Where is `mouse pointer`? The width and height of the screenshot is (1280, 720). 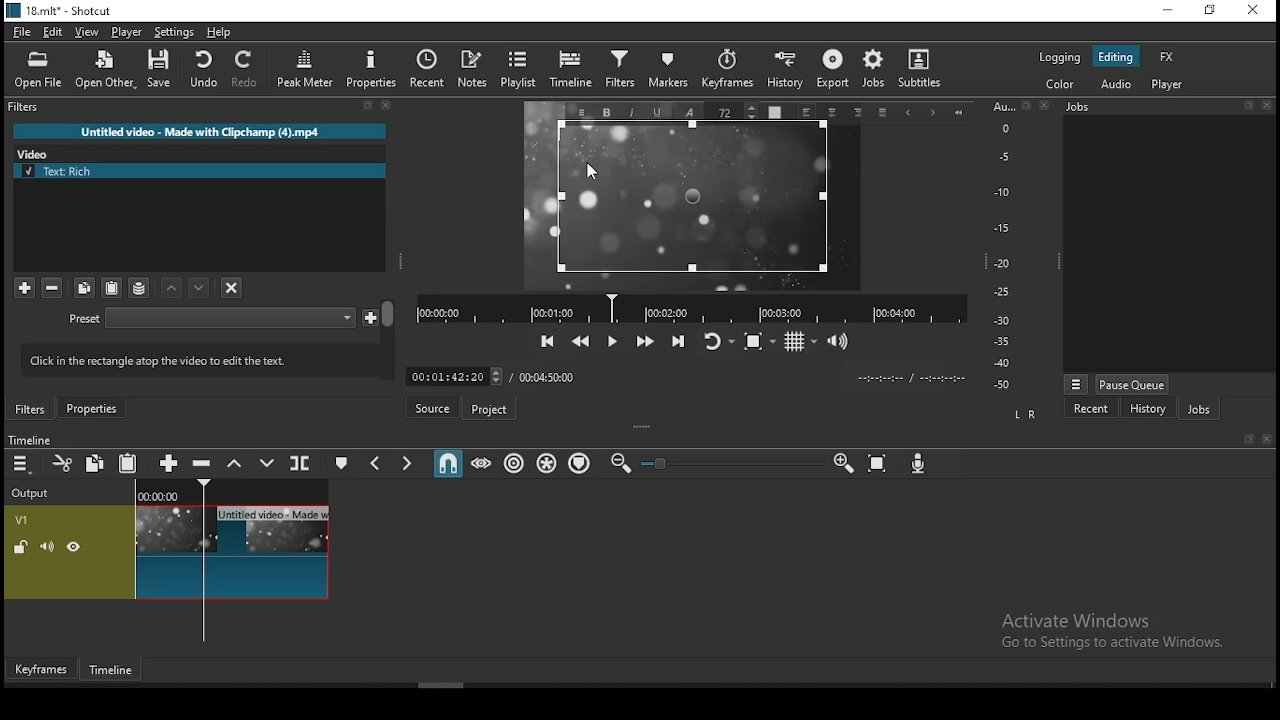 mouse pointer is located at coordinates (591, 171).